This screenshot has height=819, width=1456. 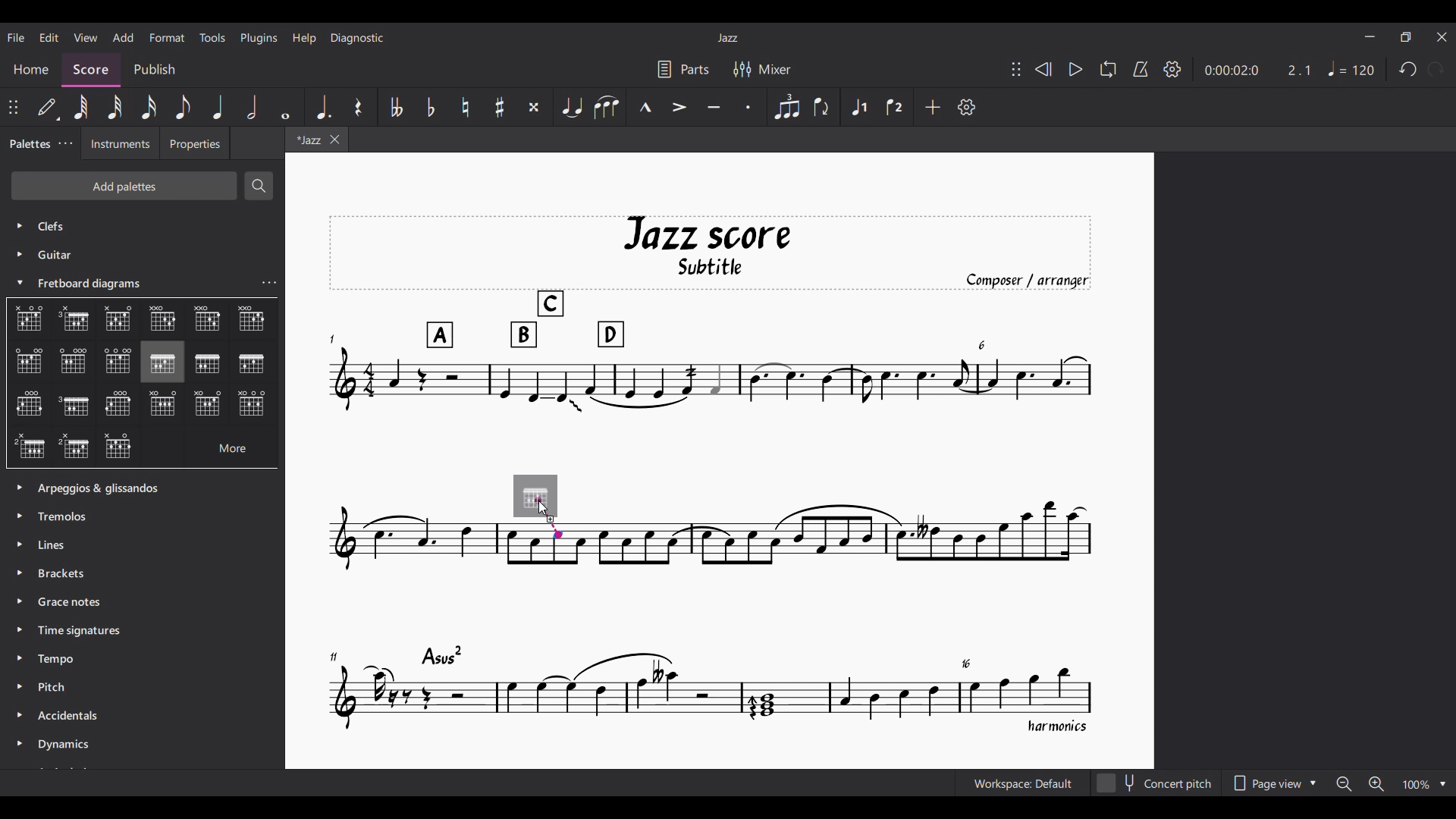 I want to click on Chart 18, so click(x=74, y=447).